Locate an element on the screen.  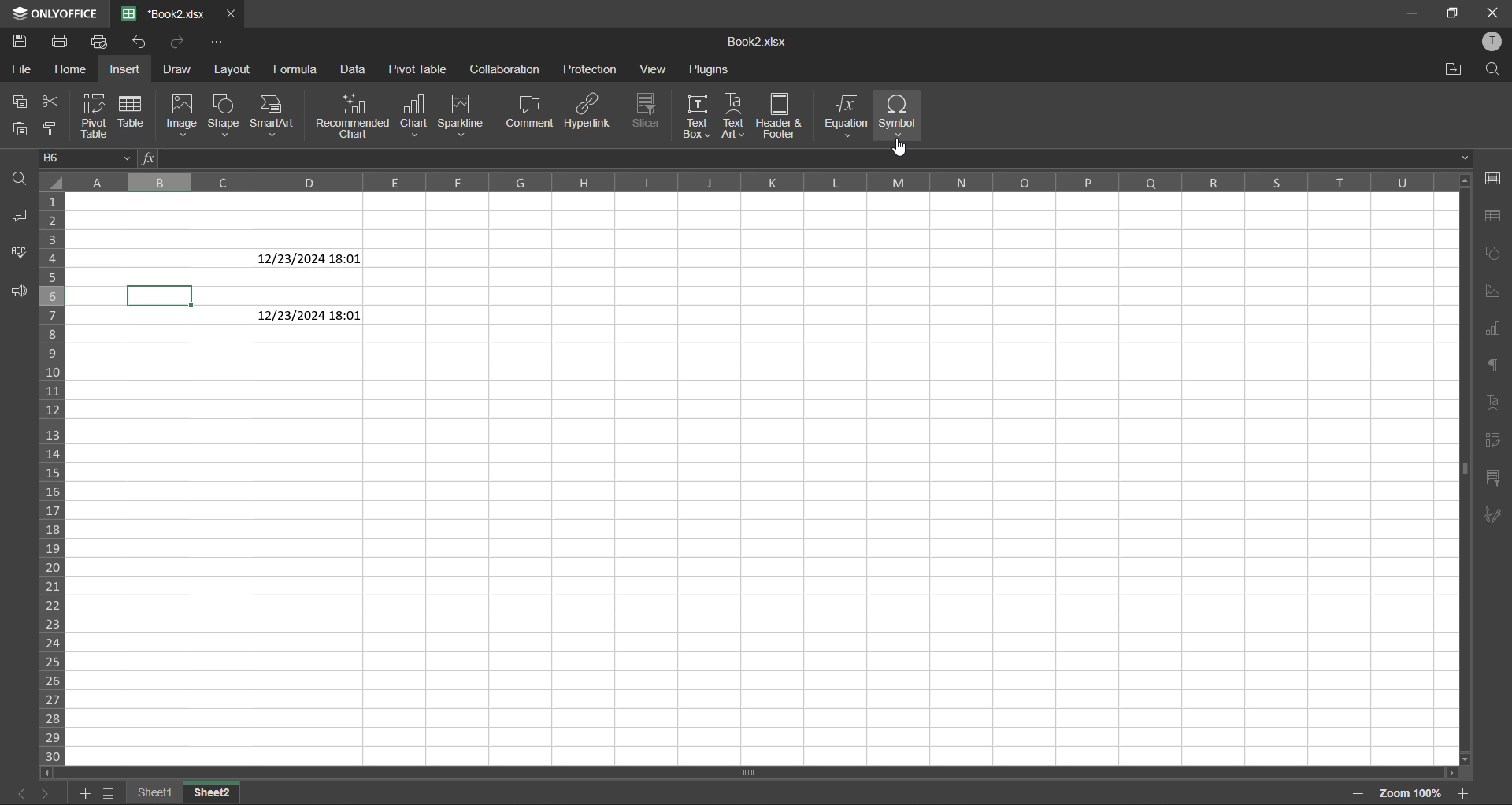
paragraph is located at coordinates (1494, 368).